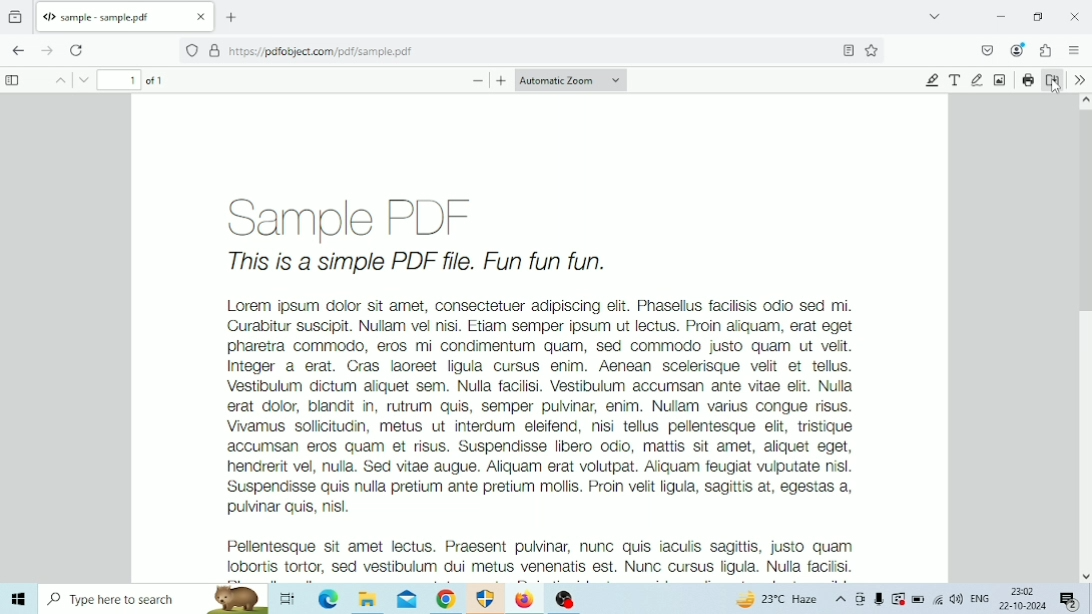 Image resolution: width=1092 pixels, height=614 pixels. I want to click on Vertical scrollbar, so click(1085, 212).